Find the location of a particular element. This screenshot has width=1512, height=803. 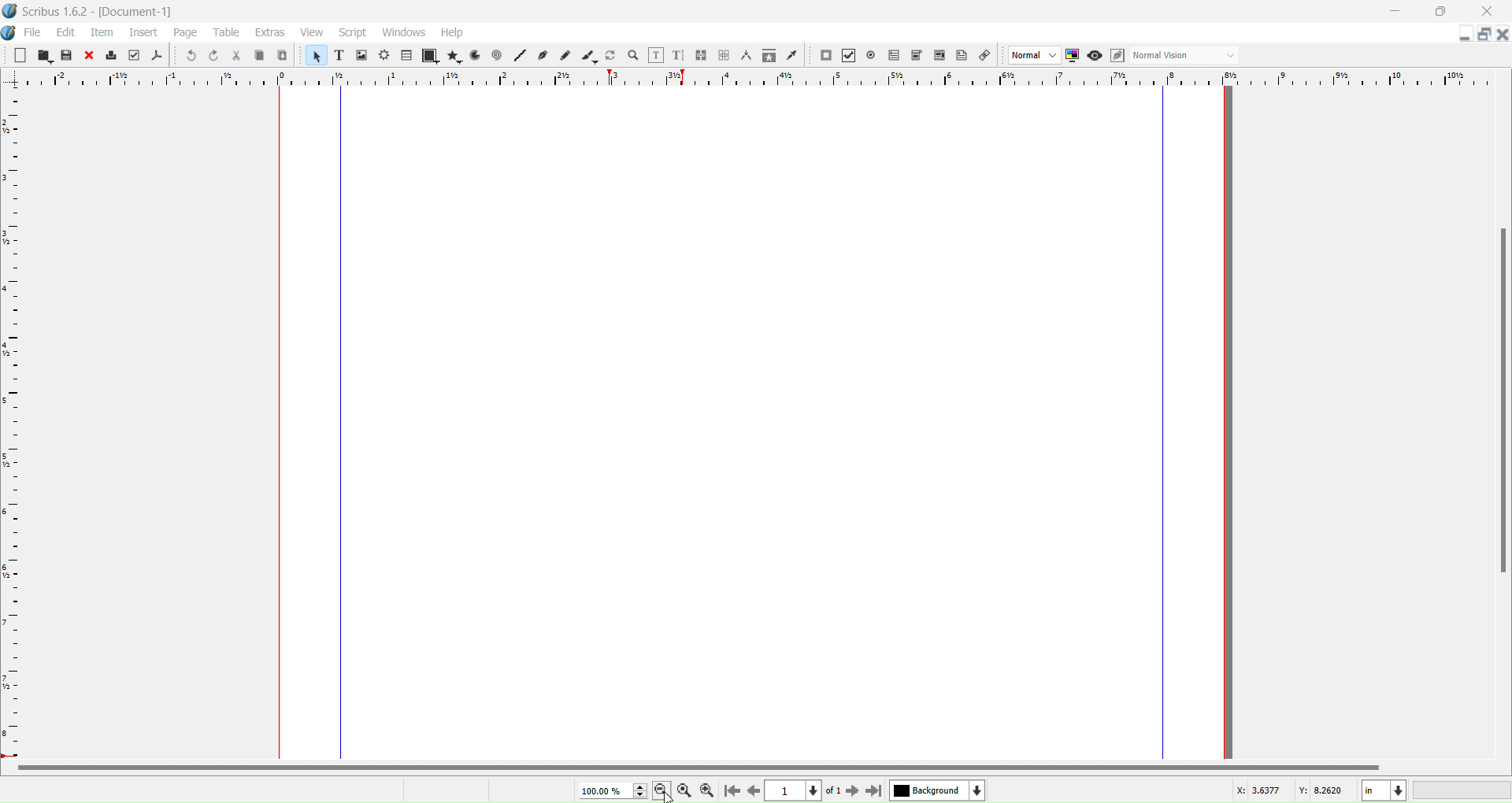

Render Frame is located at coordinates (385, 56).